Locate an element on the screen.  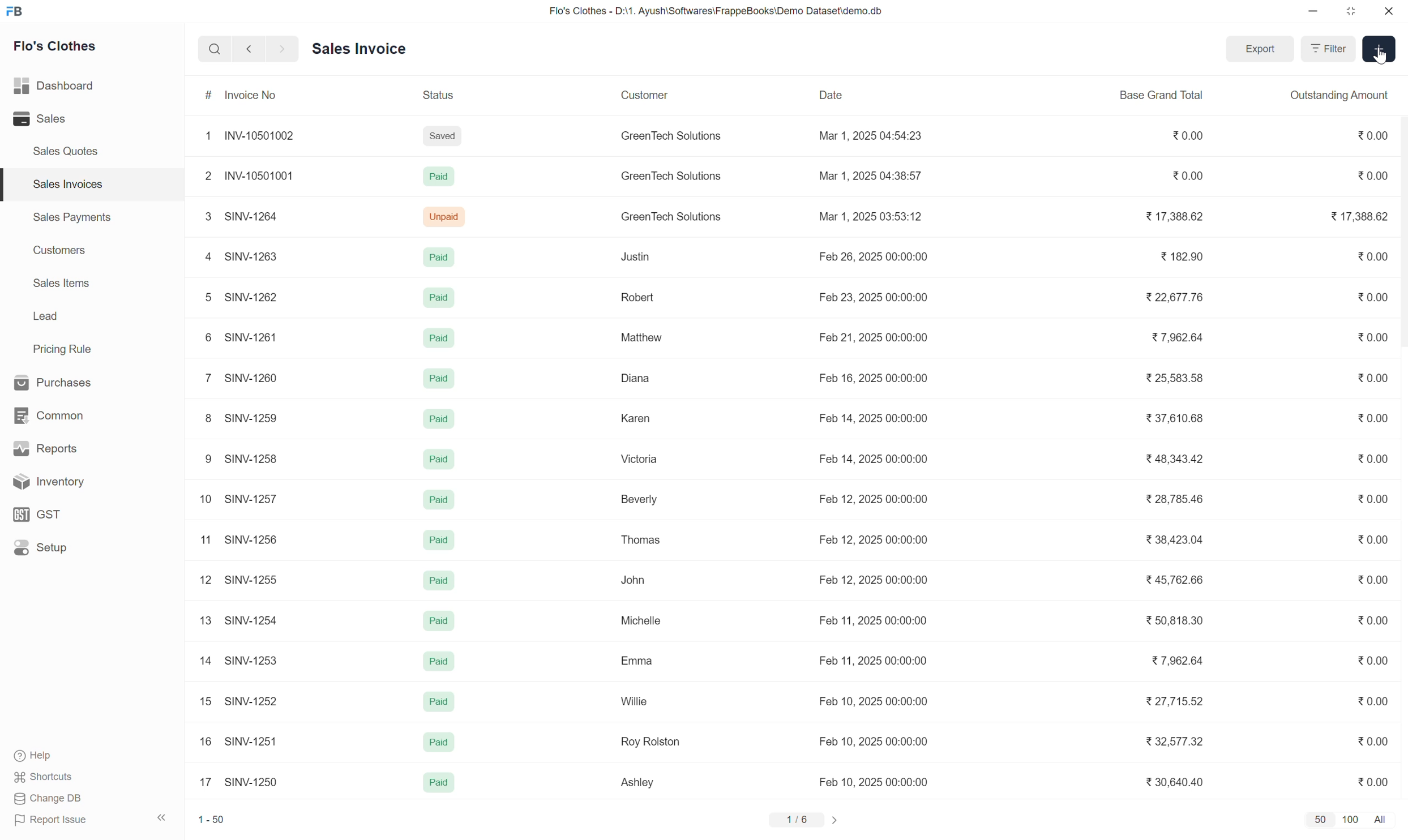
minimize  is located at coordinates (1318, 12).